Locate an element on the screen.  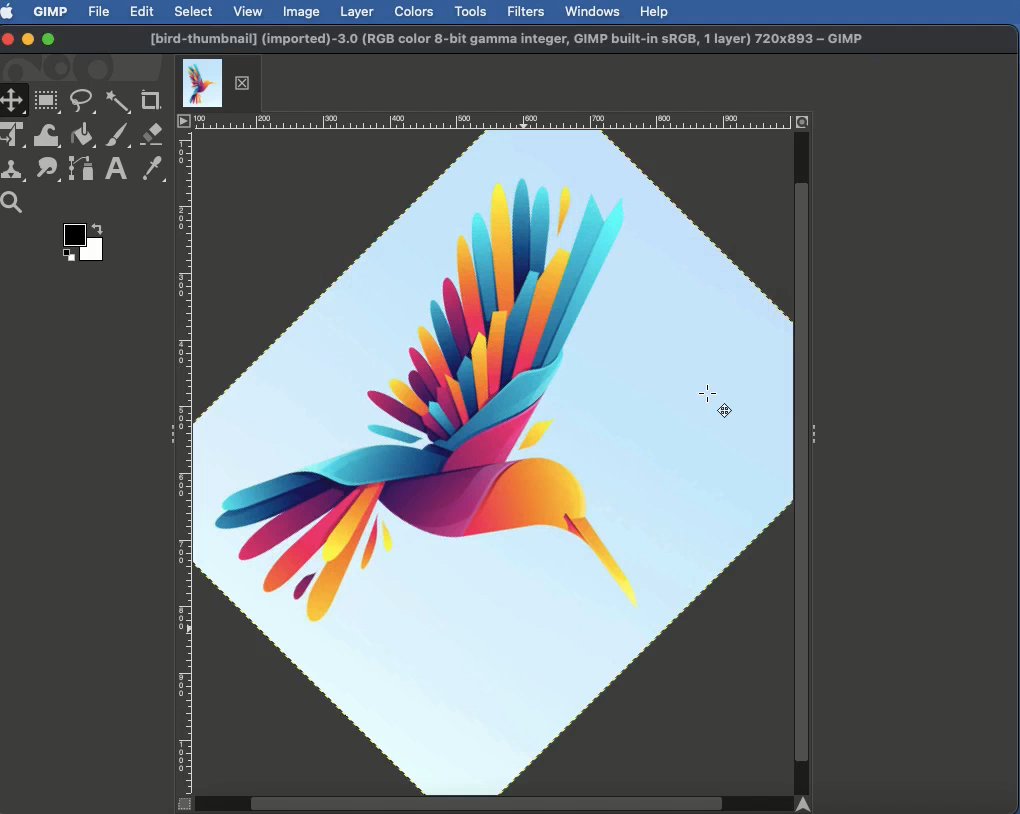
Layer is located at coordinates (357, 12).